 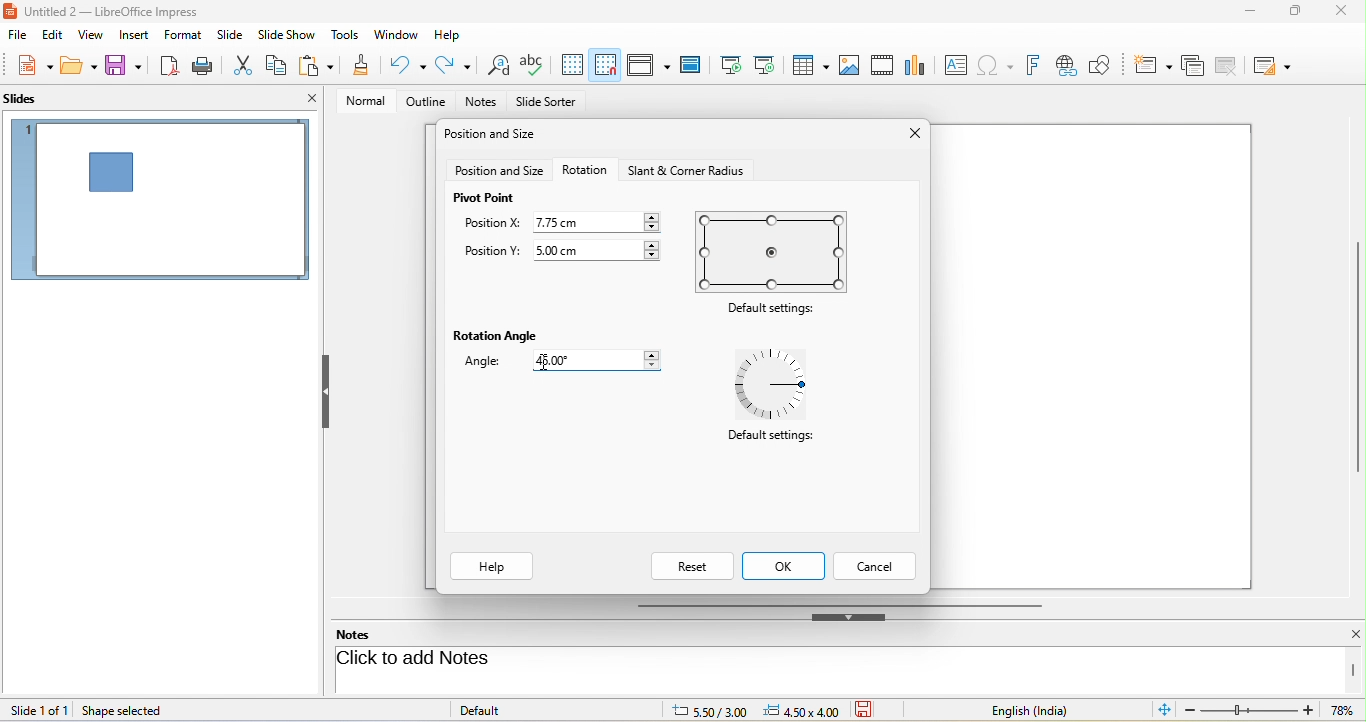 I want to click on slide 1 preview, so click(x=160, y=207).